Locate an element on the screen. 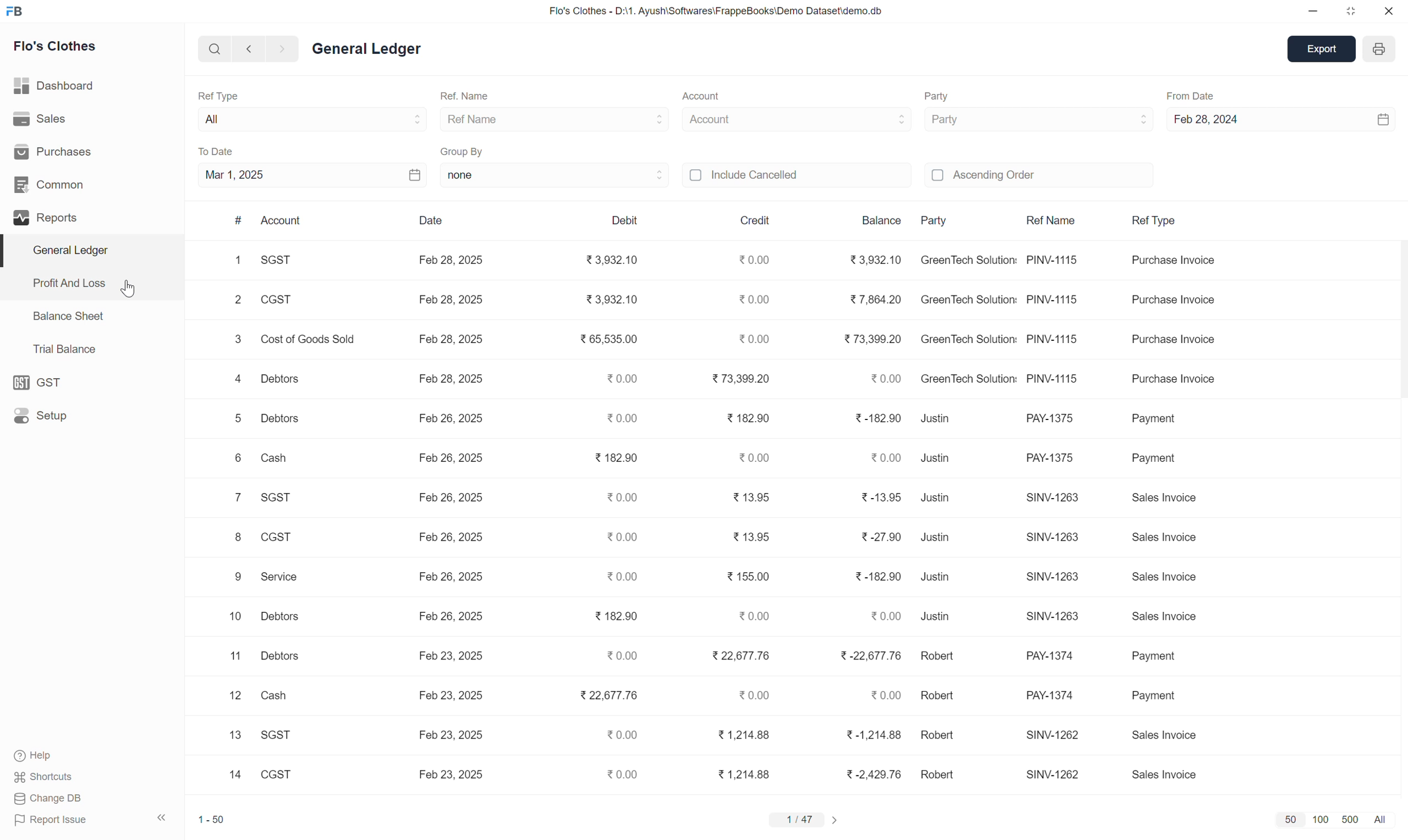 Image resolution: width=1408 pixels, height=840 pixels. ₹73,399.20 is located at coordinates (746, 379).